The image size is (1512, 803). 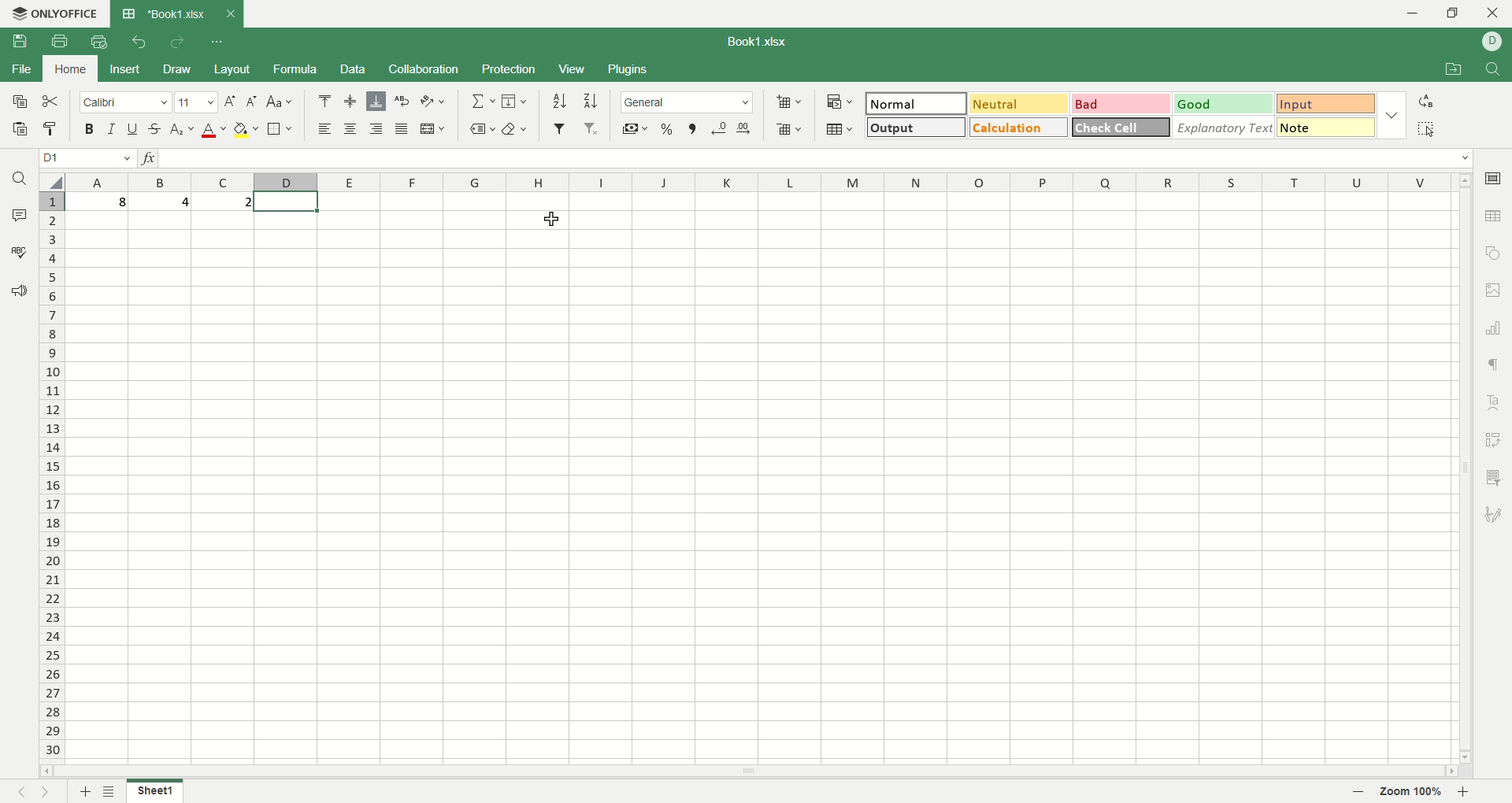 What do you see at coordinates (349, 128) in the screenshot?
I see `align center` at bounding box center [349, 128].